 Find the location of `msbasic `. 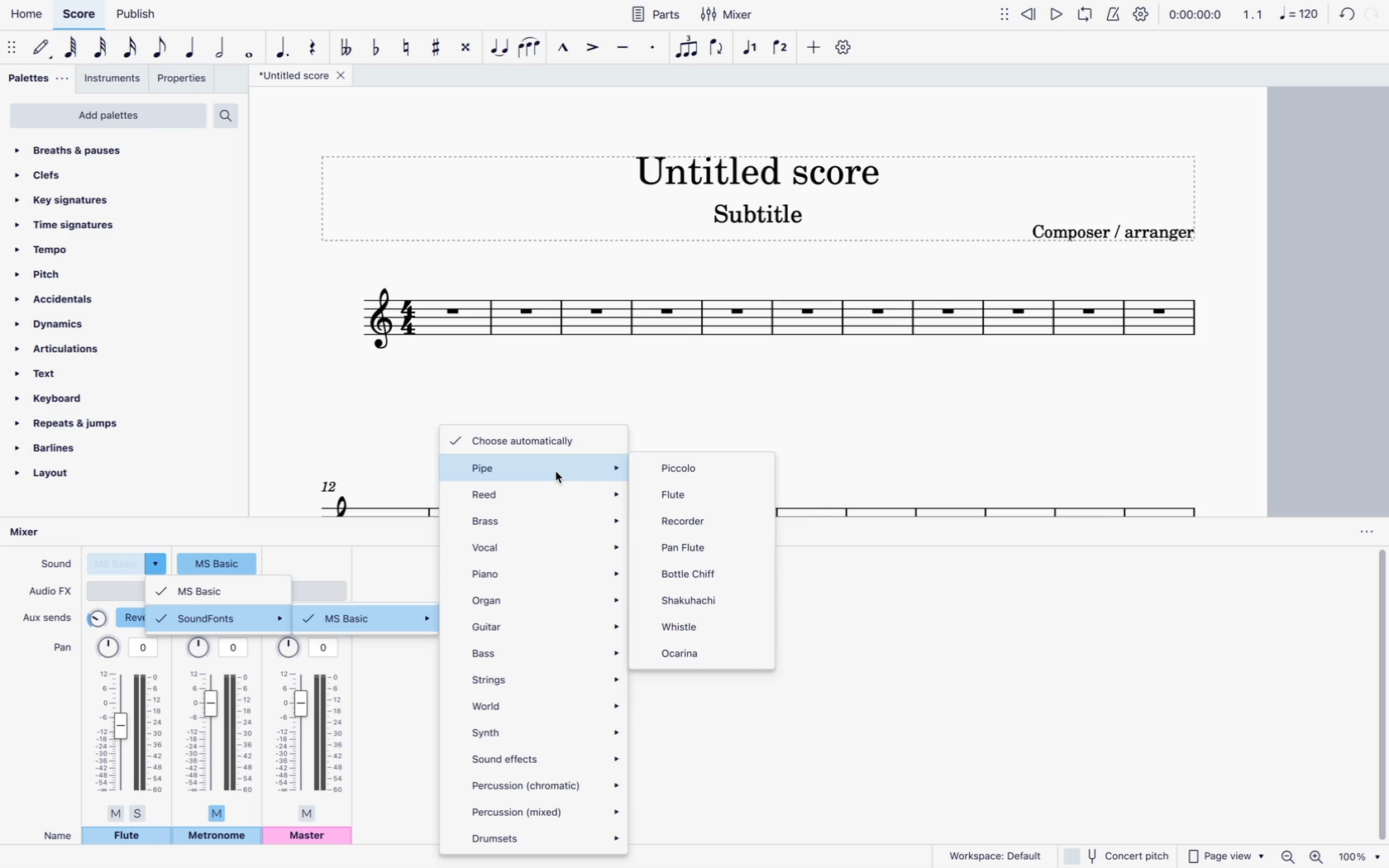

msbasic  is located at coordinates (218, 590).